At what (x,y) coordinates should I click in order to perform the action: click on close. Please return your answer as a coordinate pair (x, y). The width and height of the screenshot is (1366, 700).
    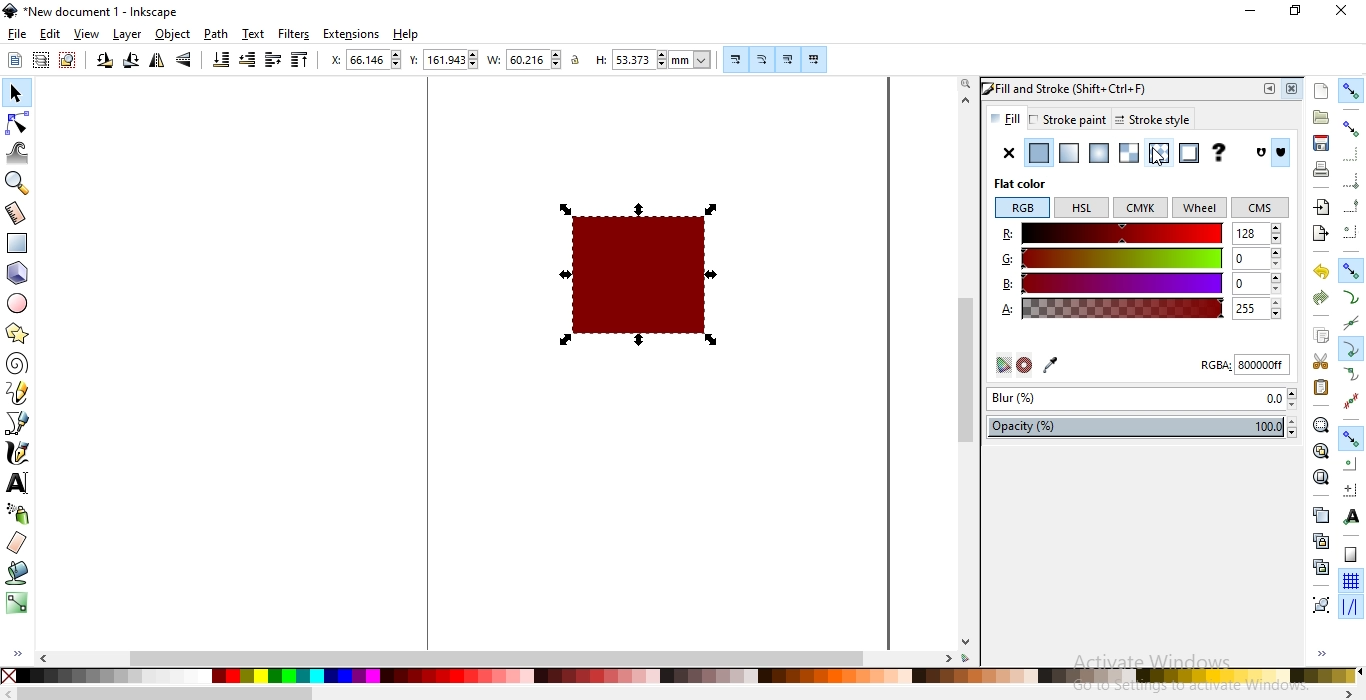
    Looking at the image, I should click on (1295, 89).